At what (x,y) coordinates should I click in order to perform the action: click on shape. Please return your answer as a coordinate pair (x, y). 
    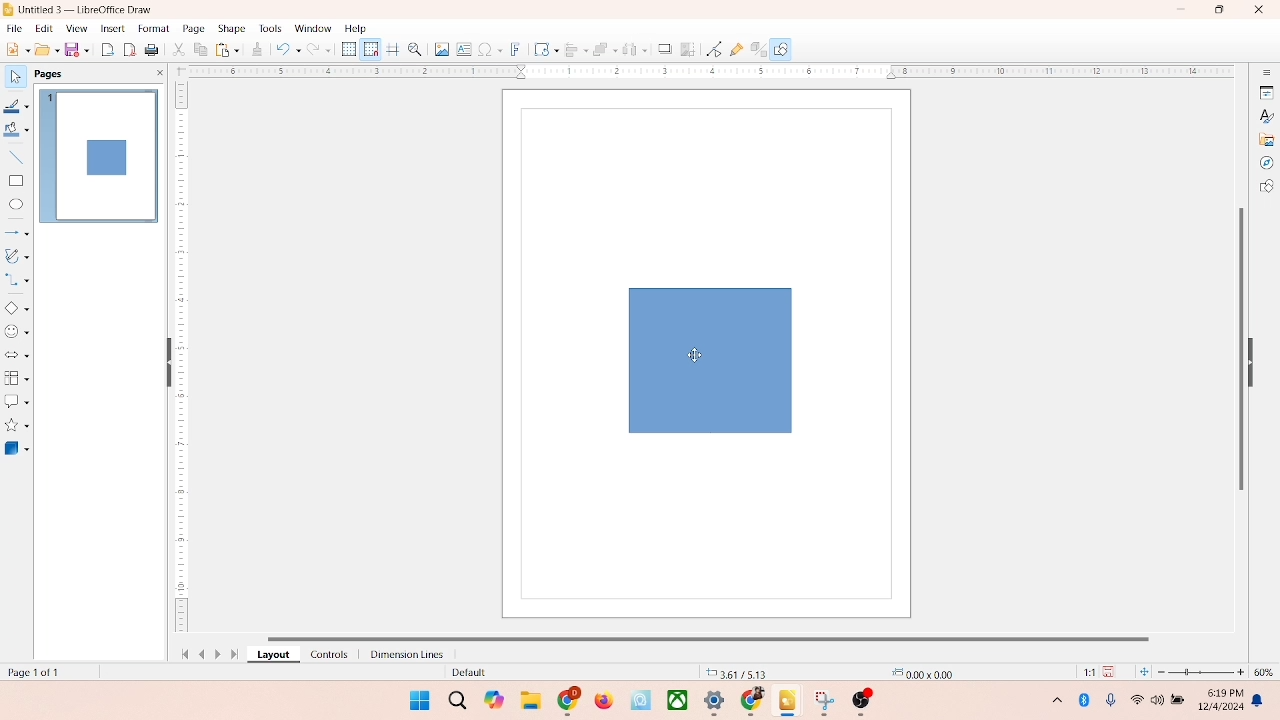
    Looking at the image, I should click on (231, 28).